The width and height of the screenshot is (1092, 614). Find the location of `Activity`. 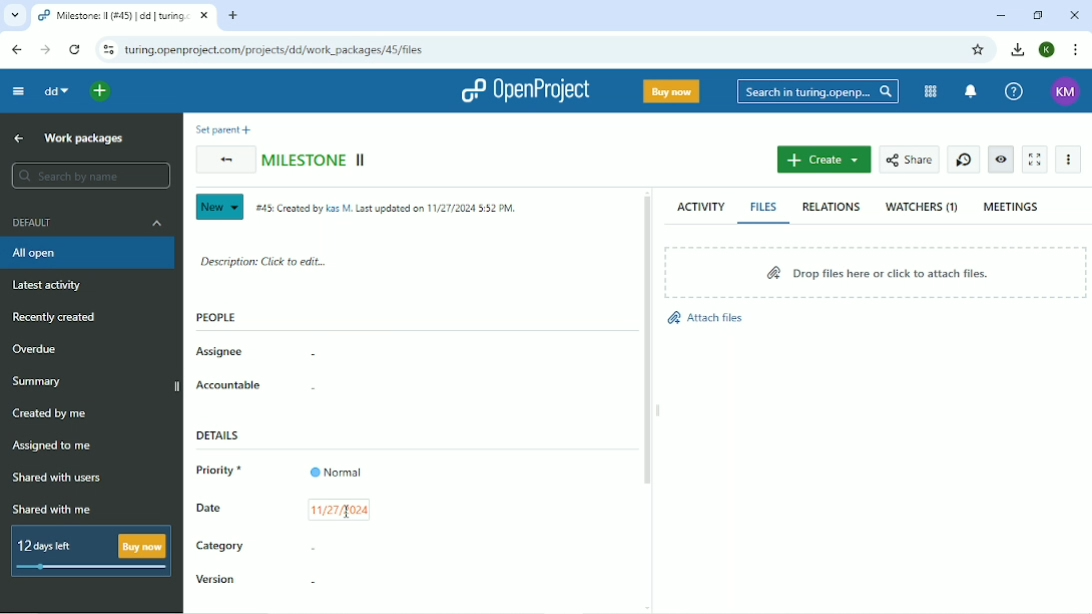

Activity is located at coordinates (701, 206).